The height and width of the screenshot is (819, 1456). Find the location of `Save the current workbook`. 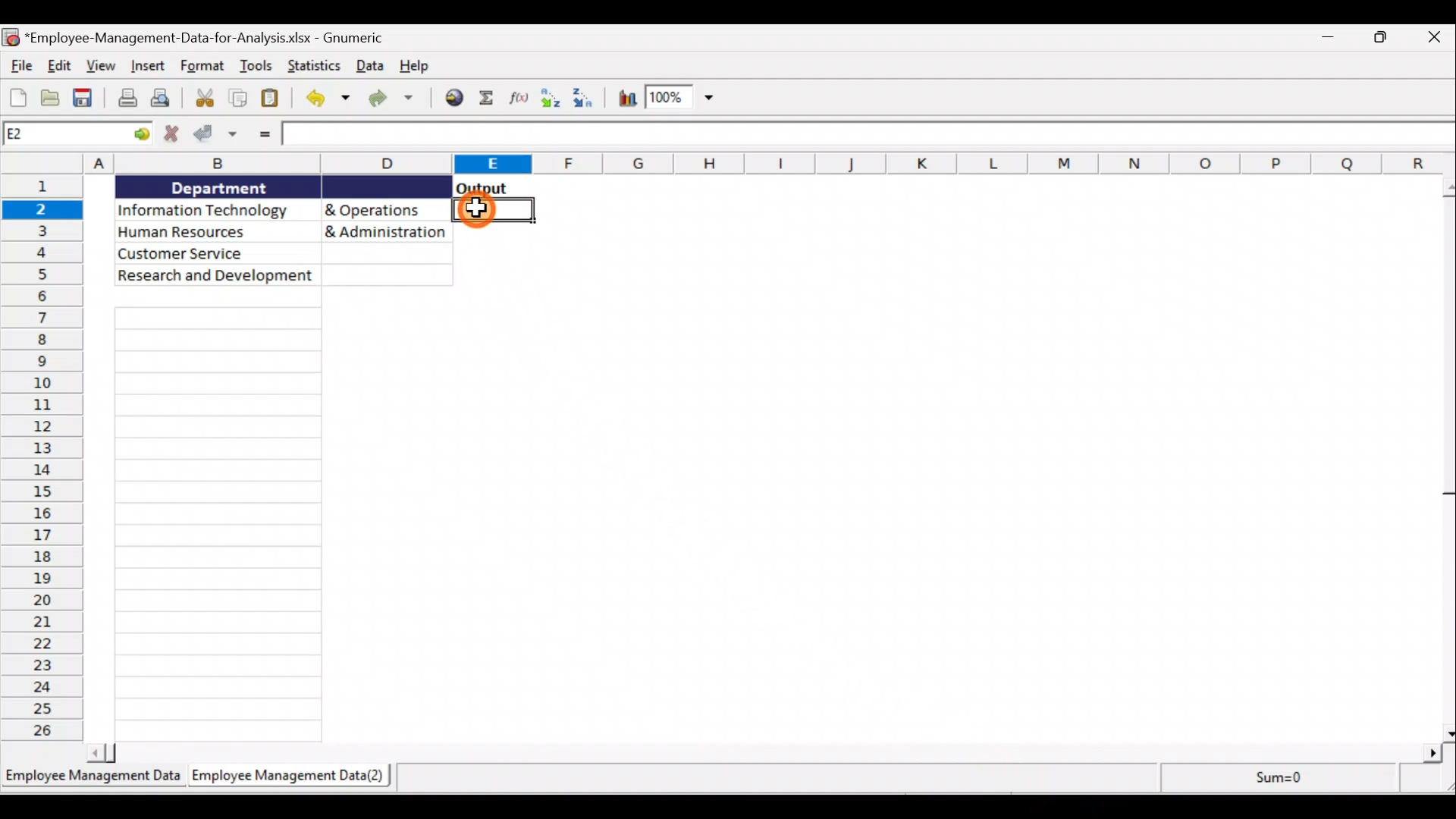

Save the current workbook is located at coordinates (85, 98).